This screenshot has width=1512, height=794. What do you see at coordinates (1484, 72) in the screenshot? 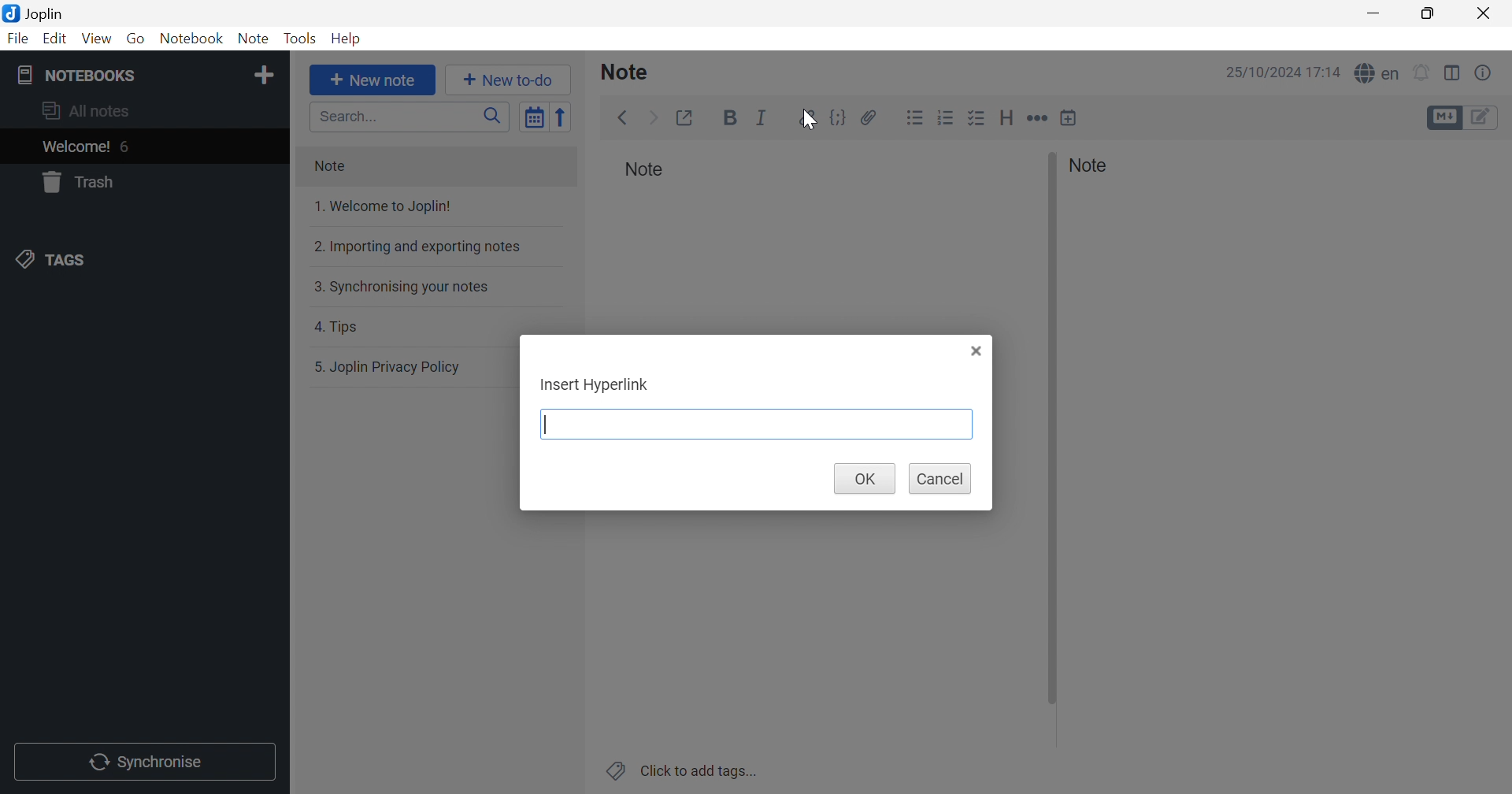
I see `Note properties` at bounding box center [1484, 72].